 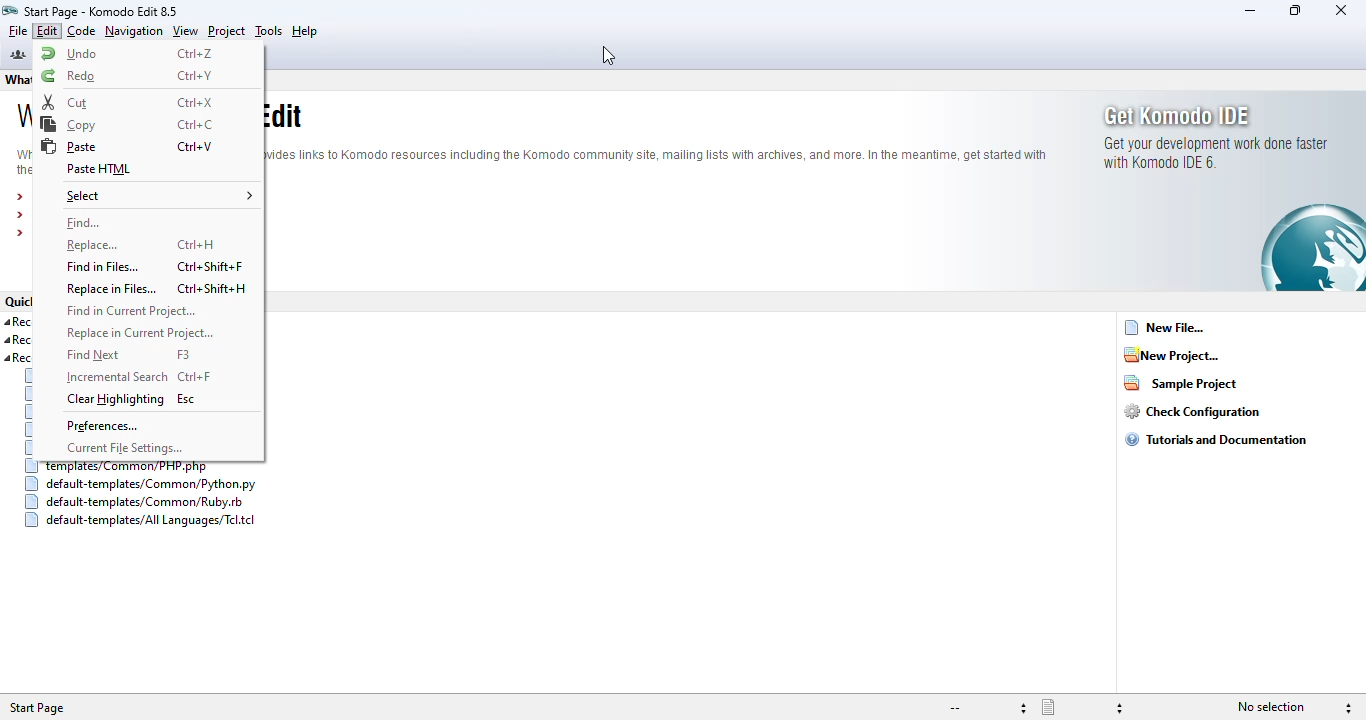 I want to click on text, so click(x=657, y=155).